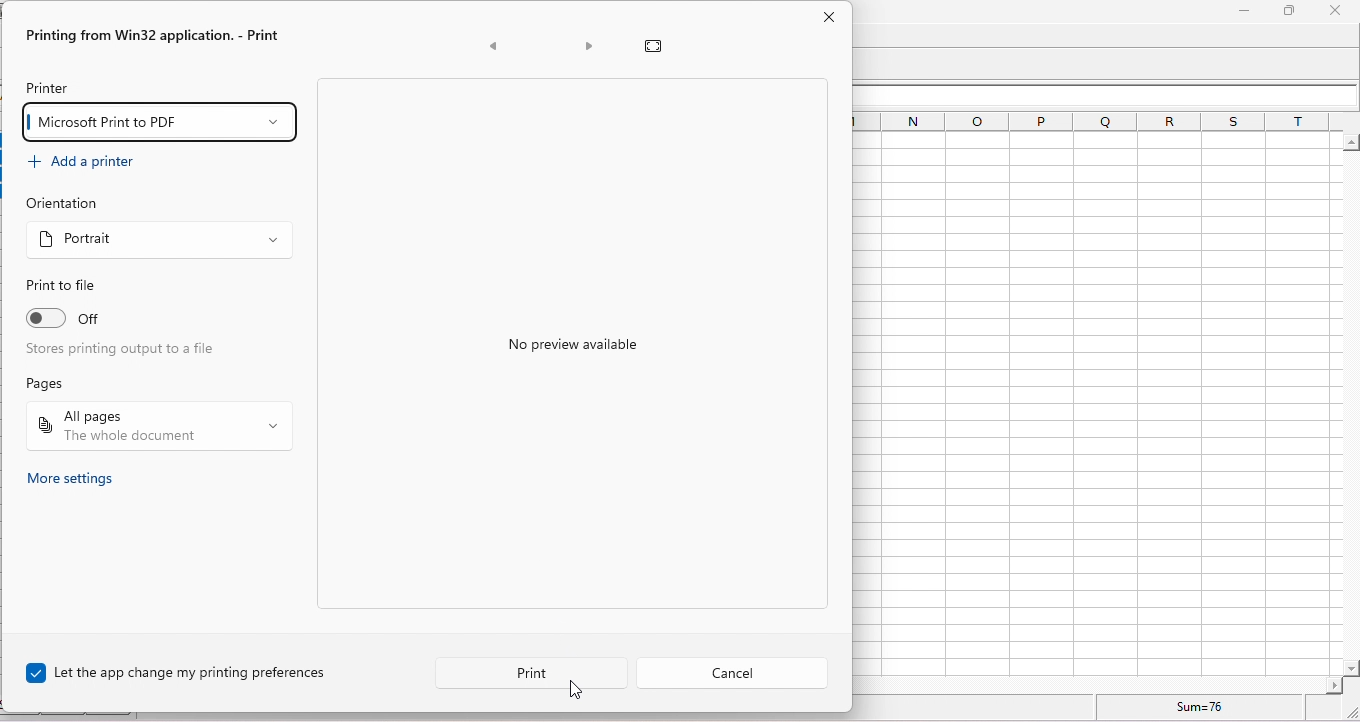  What do you see at coordinates (50, 87) in the screenshot?
I see `printer` at bounding box center [50, 87].